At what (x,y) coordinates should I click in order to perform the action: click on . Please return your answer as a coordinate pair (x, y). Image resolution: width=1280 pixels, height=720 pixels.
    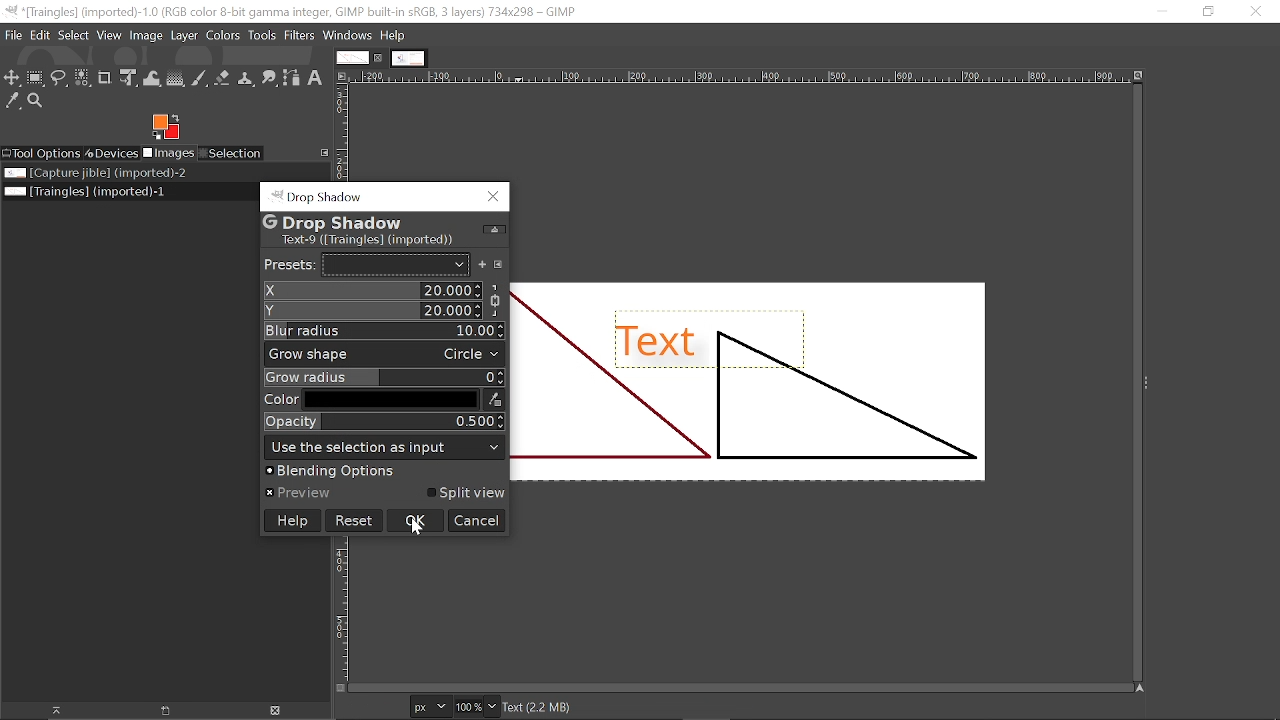
    Looking at the image, I should click on (496, 300).